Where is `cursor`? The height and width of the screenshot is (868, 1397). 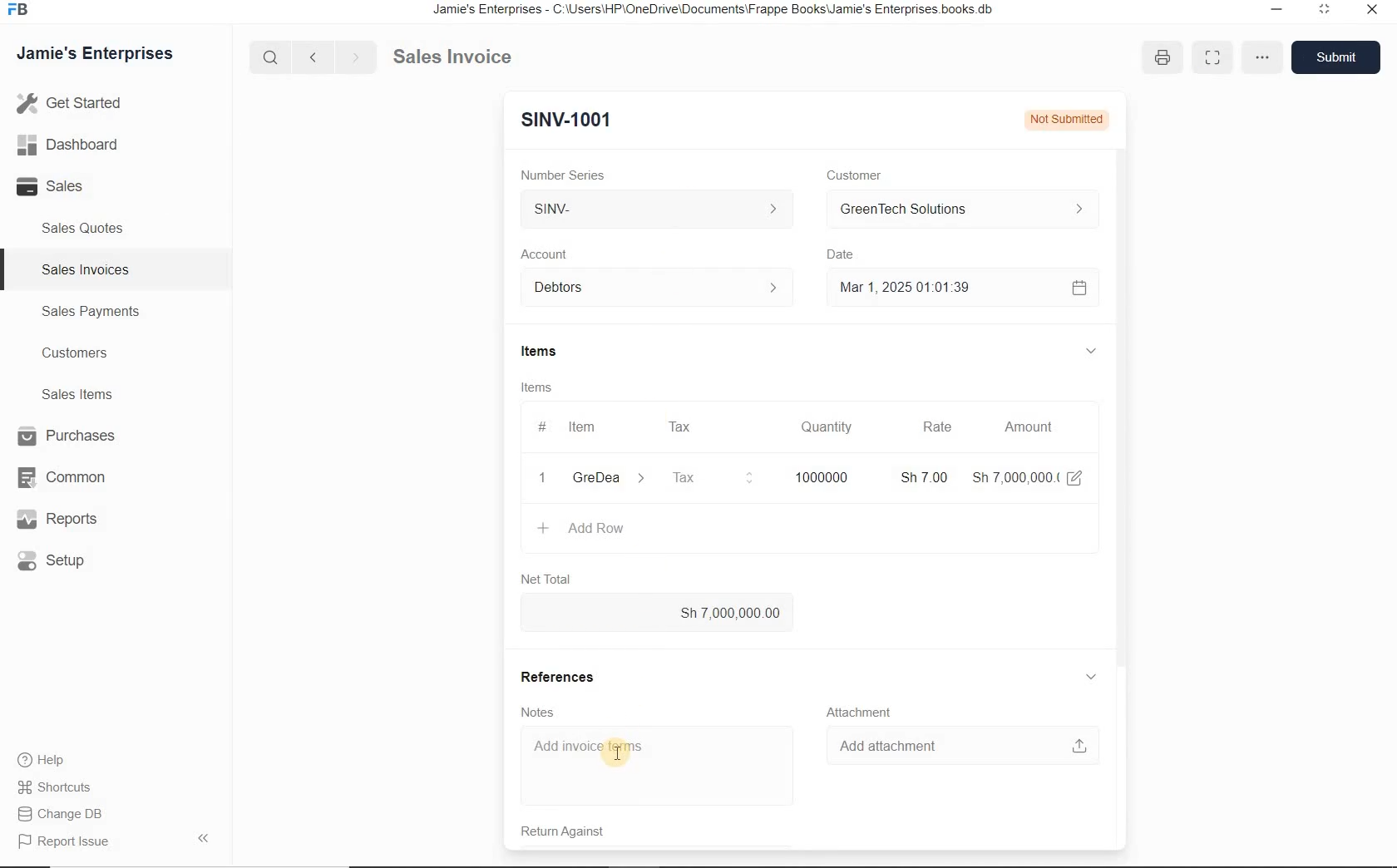 cursor is located at coordinates (618, 755).